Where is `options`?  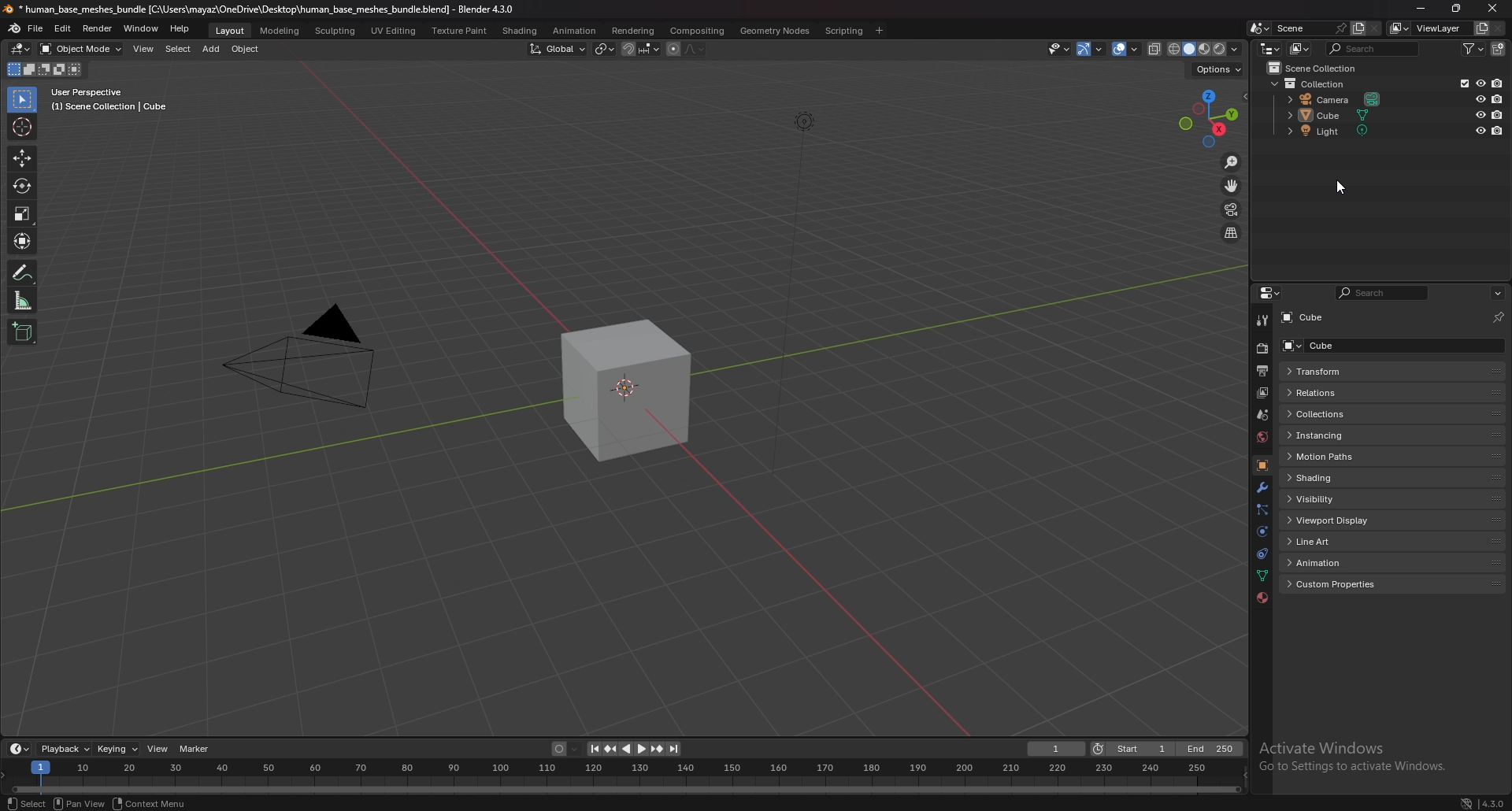 options is located at coordinates (1497, 294).